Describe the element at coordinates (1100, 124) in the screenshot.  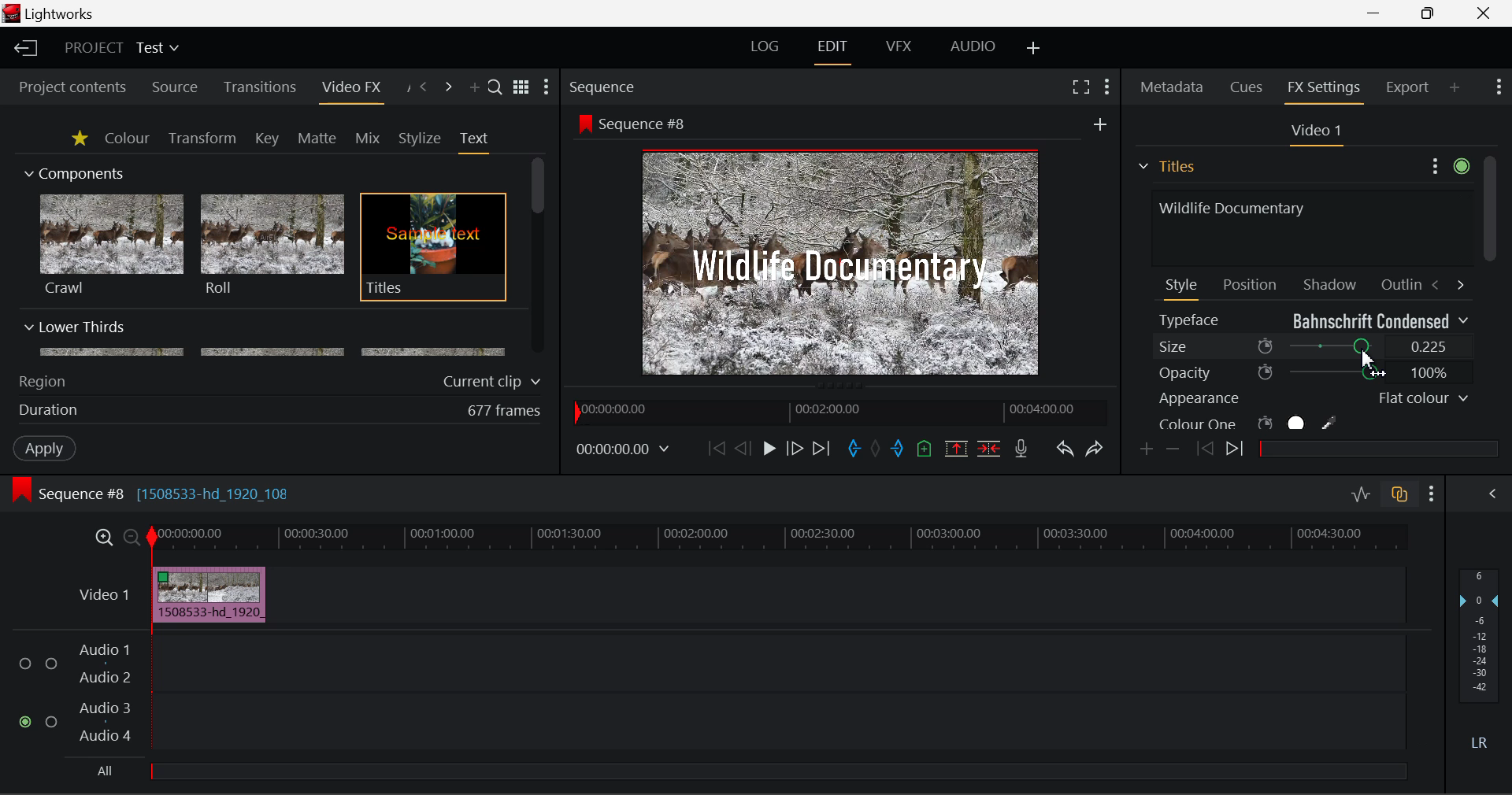
I see `add` at that location.